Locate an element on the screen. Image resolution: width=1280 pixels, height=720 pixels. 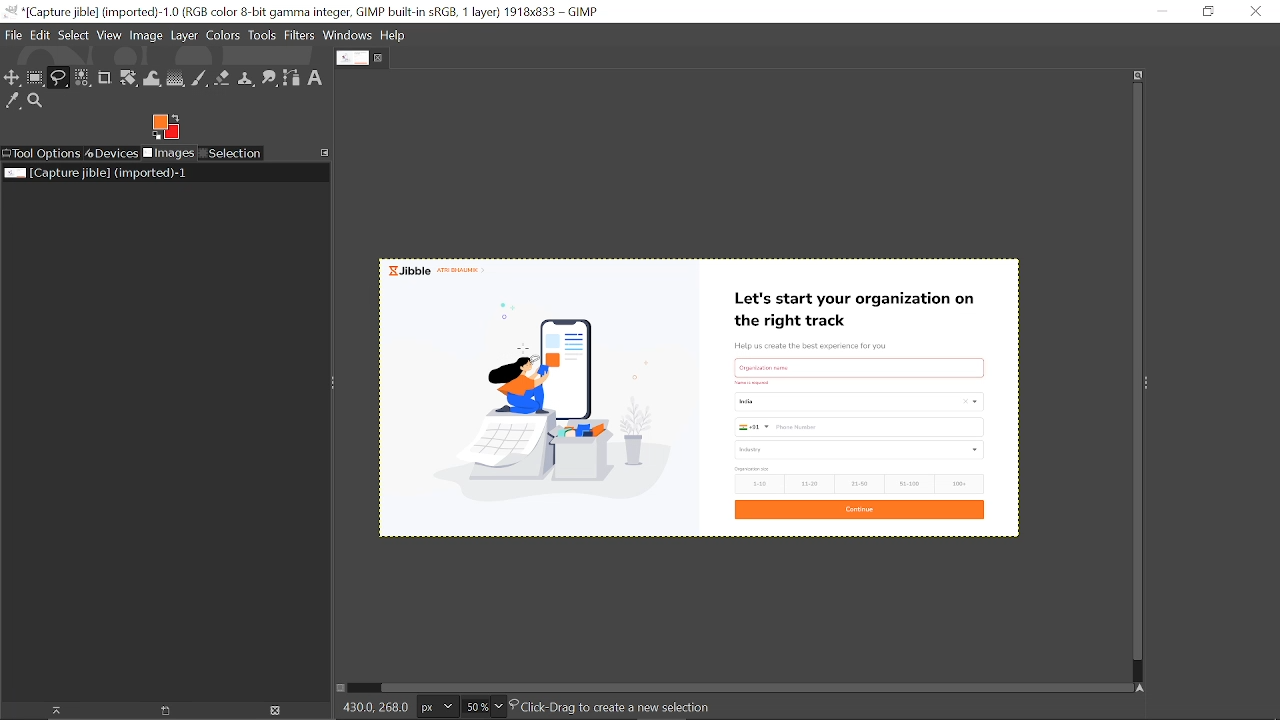
Cursor here is located at coordinates (523, 349).